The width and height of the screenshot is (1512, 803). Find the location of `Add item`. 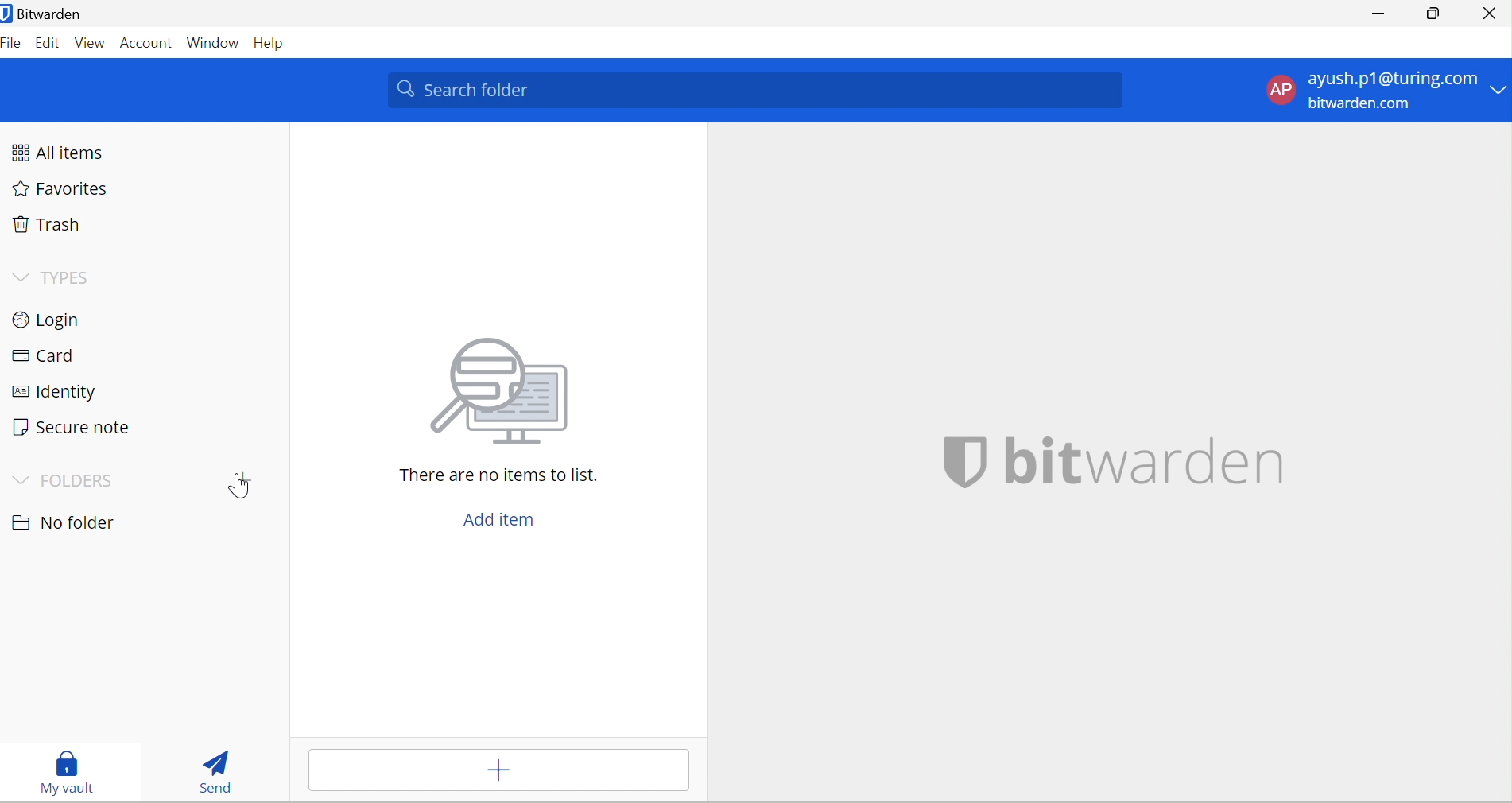

Add item is located at coordinates (498, 771).